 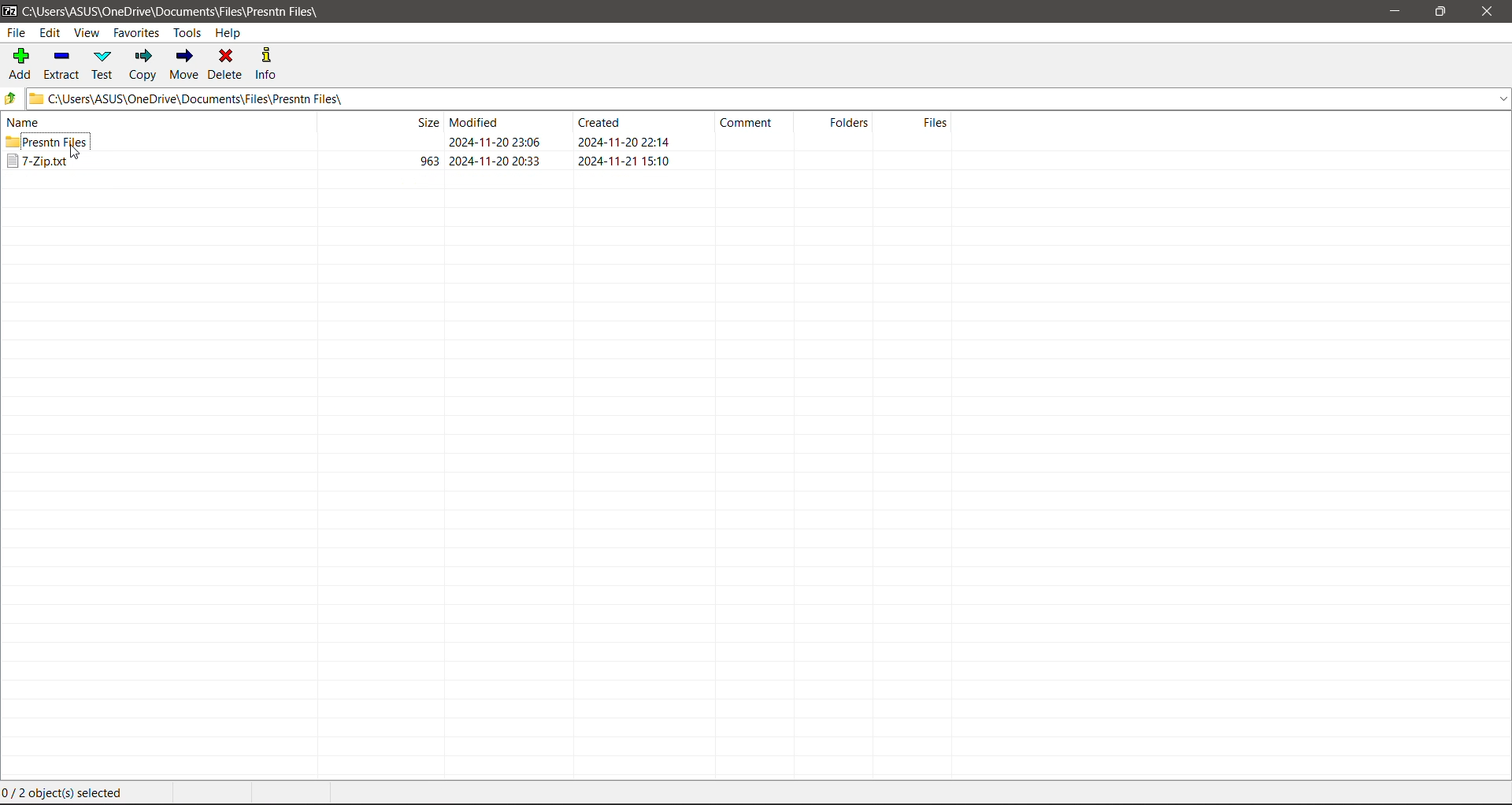 I want to click on Extract, so click(x=61, y=63).